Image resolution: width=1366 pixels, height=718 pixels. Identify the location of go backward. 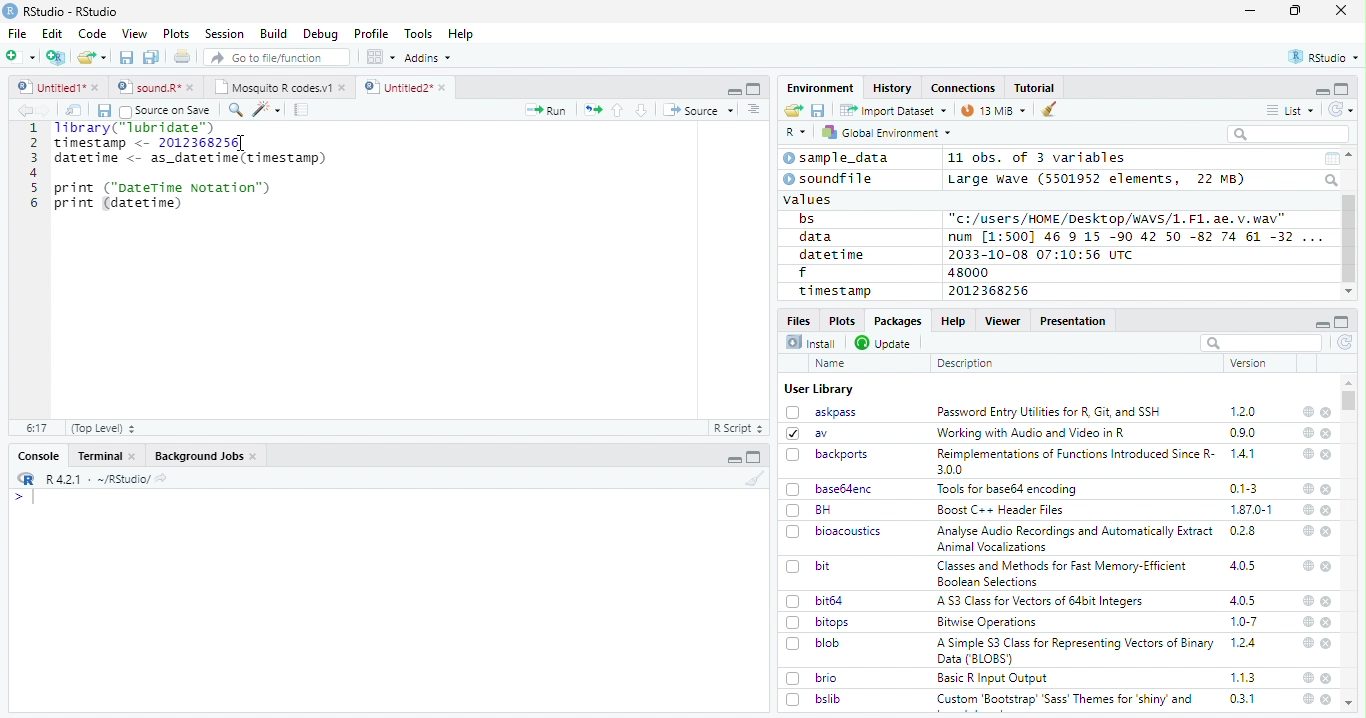
(25, 109).